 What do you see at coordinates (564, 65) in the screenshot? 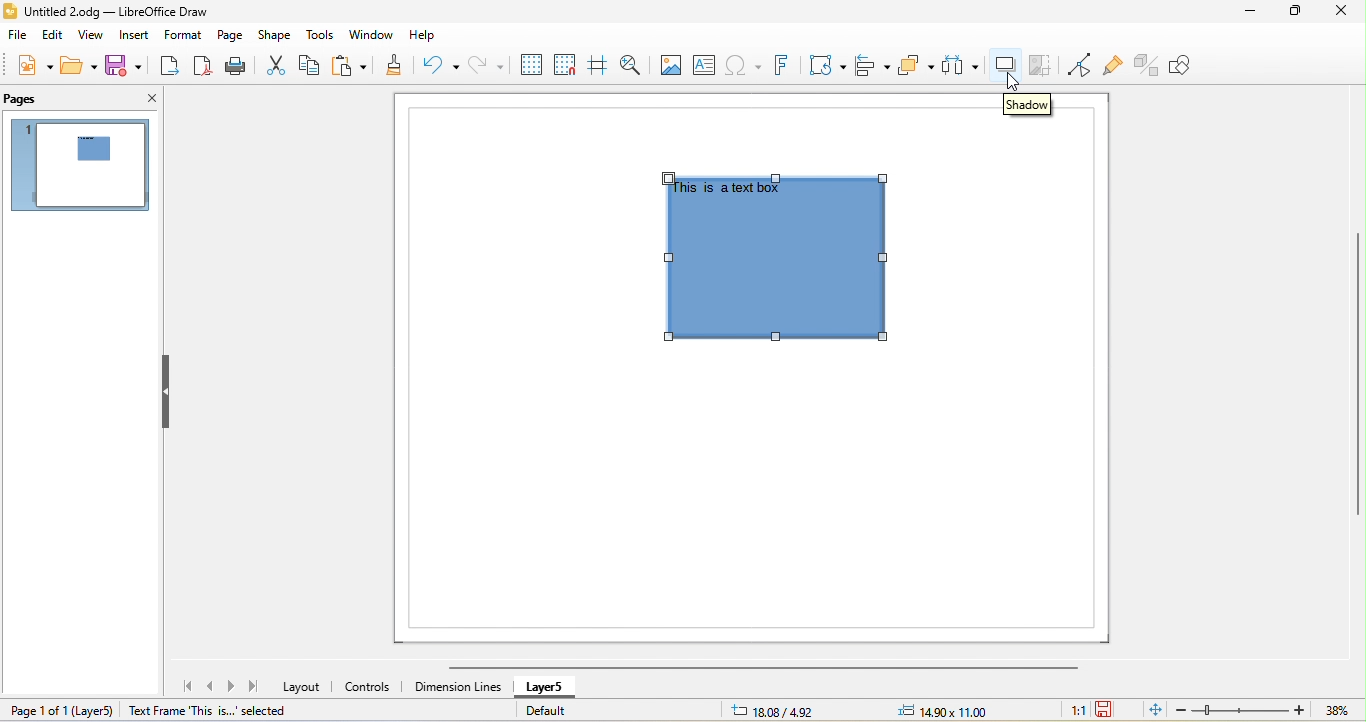
I see `snap to grid` at bounding box center [564, 65].